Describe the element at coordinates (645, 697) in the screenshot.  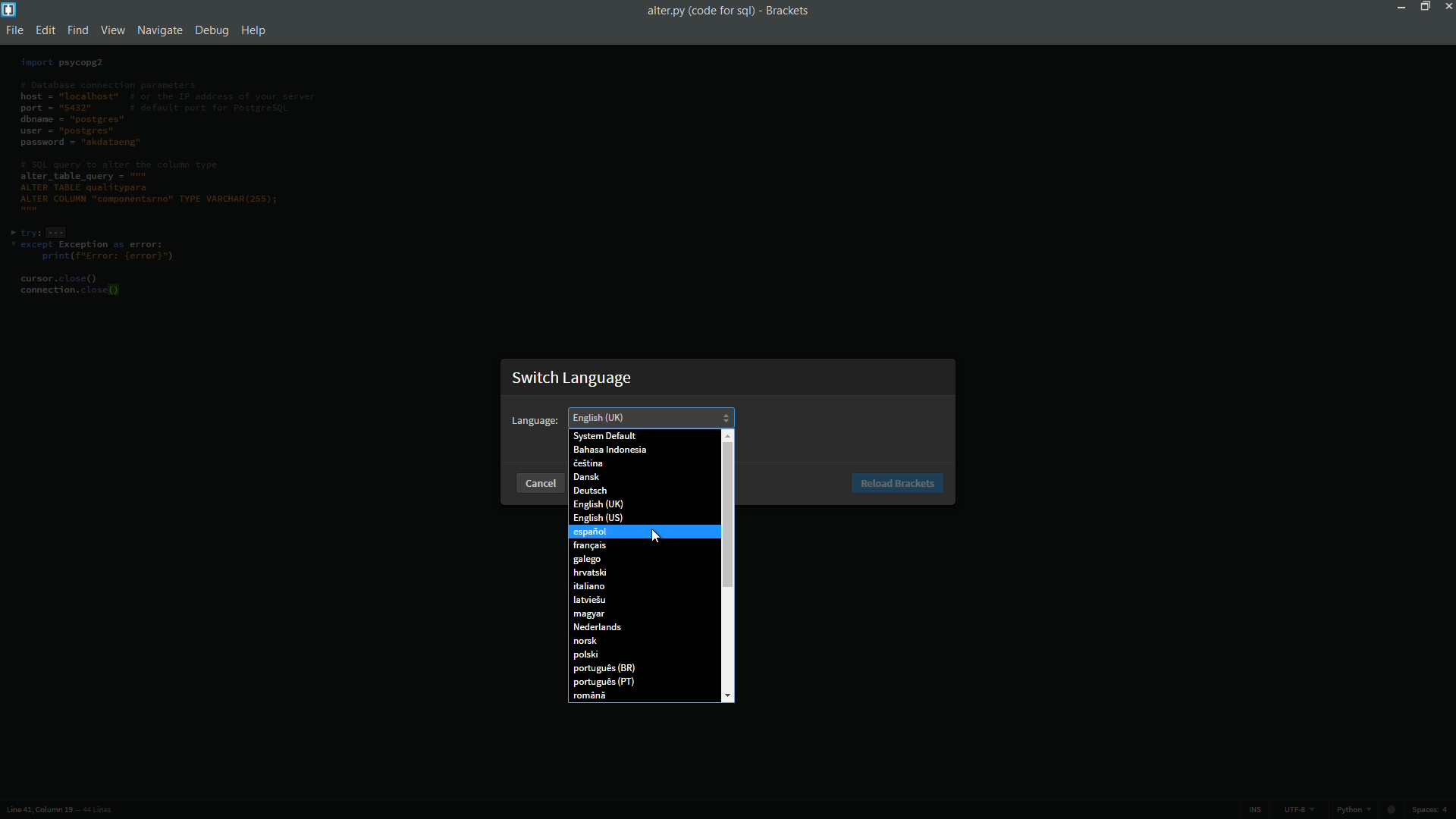
I see `romana` at that location.